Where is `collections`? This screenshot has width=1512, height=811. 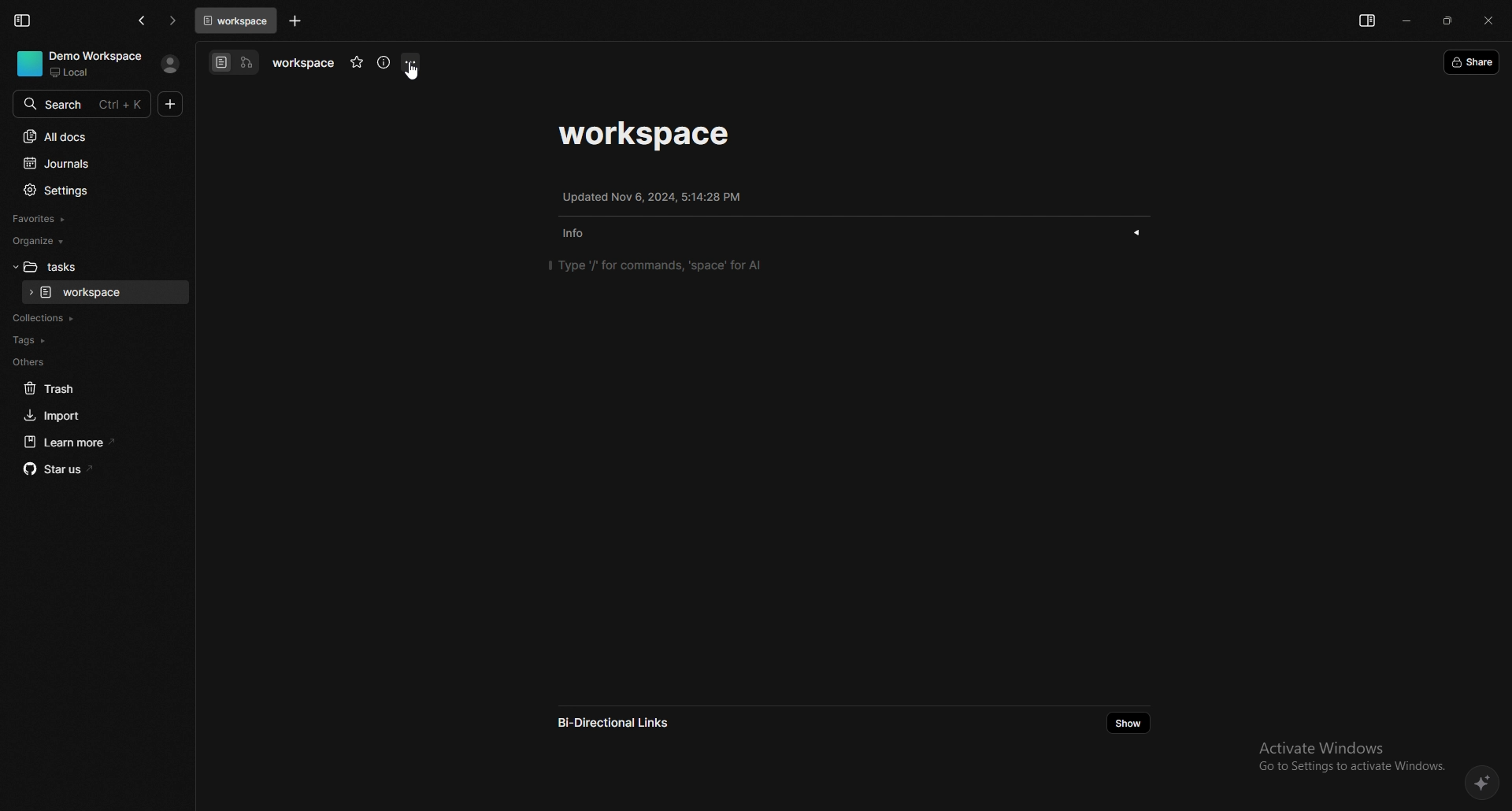
collections is located at coordinates (91, 319).